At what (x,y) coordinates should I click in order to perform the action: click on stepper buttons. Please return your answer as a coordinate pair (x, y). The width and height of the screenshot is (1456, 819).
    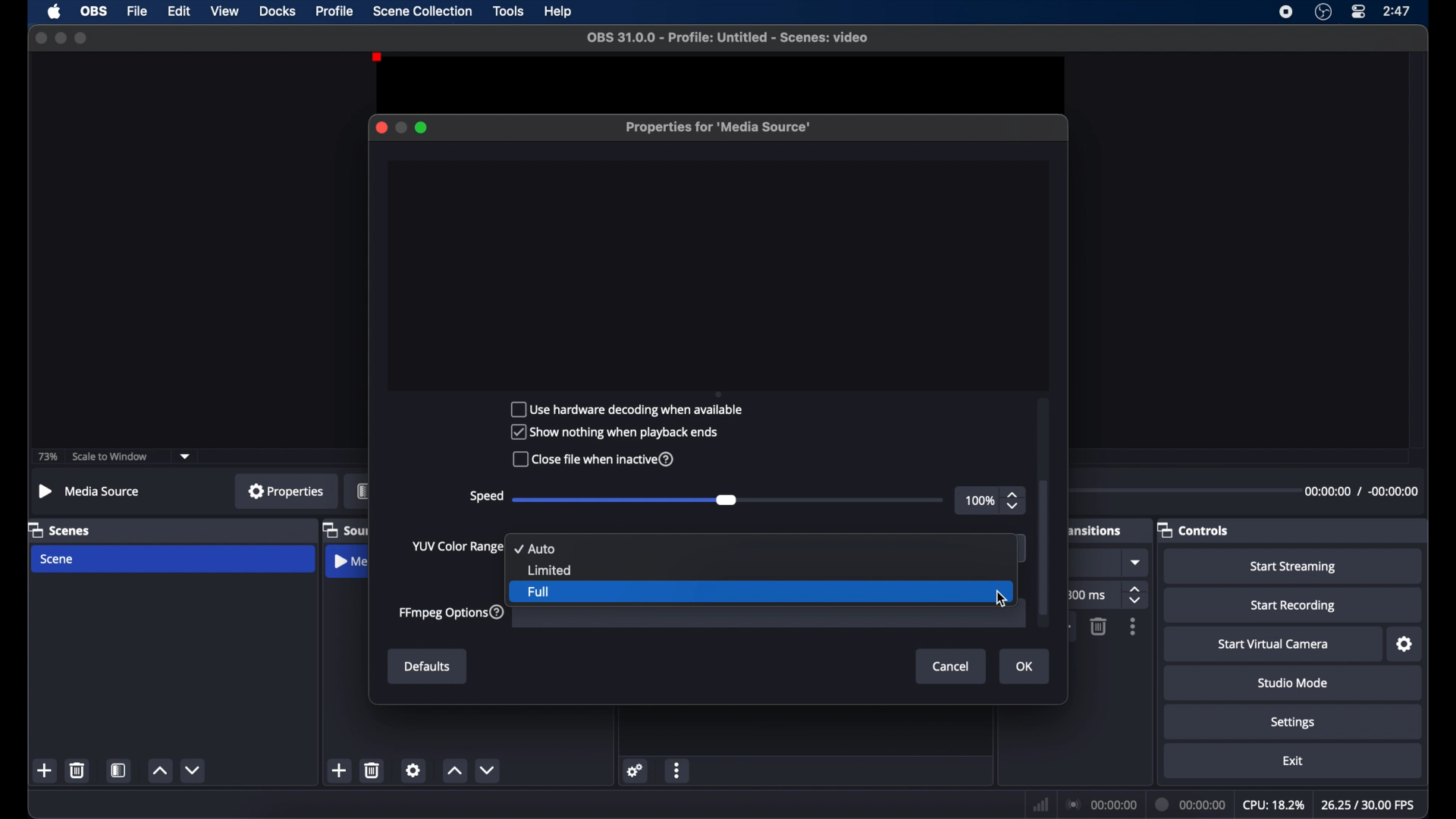
    Looking at the image, I should click on (1137, 595).